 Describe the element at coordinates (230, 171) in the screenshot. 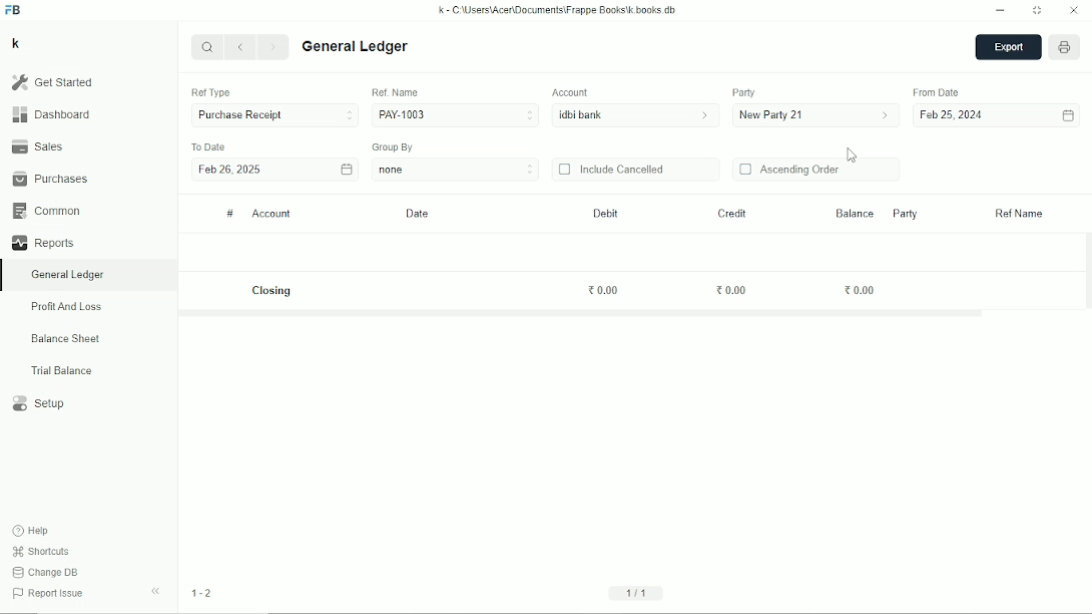

I see `Feb 26, 2025` at that location.